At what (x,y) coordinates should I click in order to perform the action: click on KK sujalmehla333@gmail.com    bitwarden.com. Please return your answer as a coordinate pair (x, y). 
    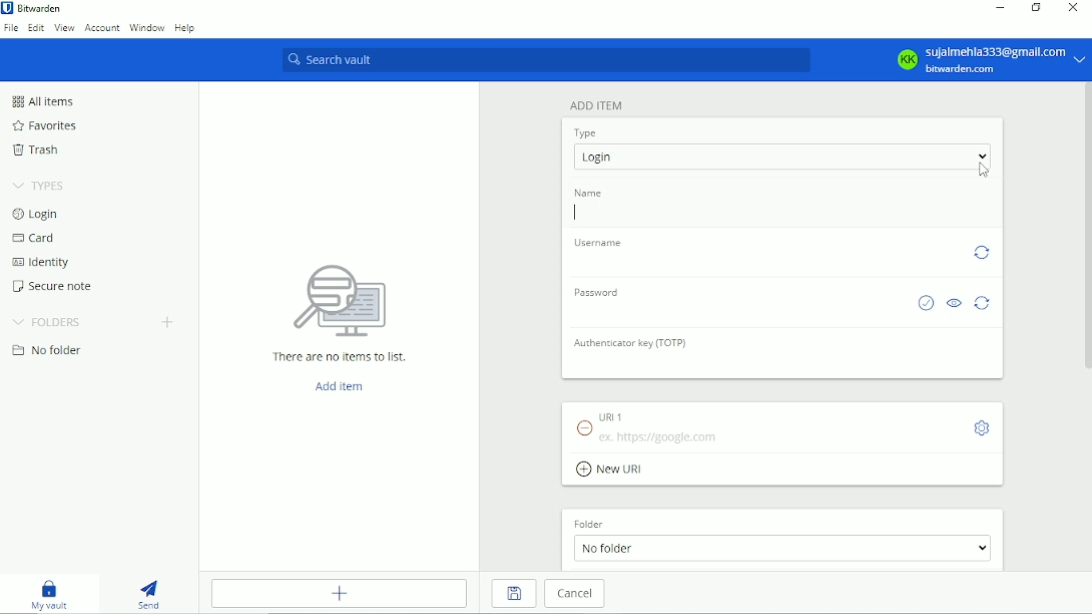
    Looking at the image, I should click on (989, 60).